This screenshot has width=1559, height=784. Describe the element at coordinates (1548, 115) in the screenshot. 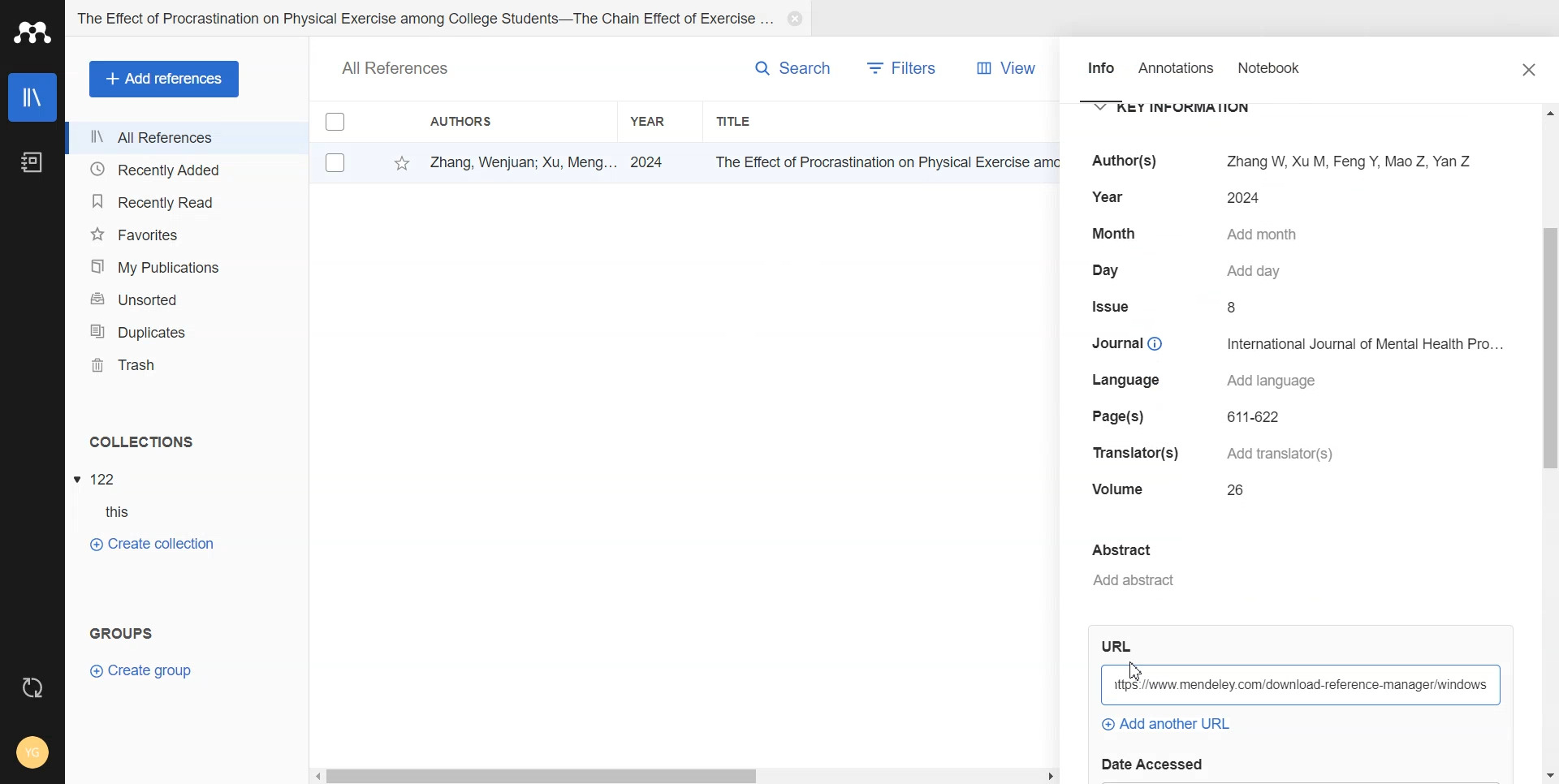

I see `Up` at that location.